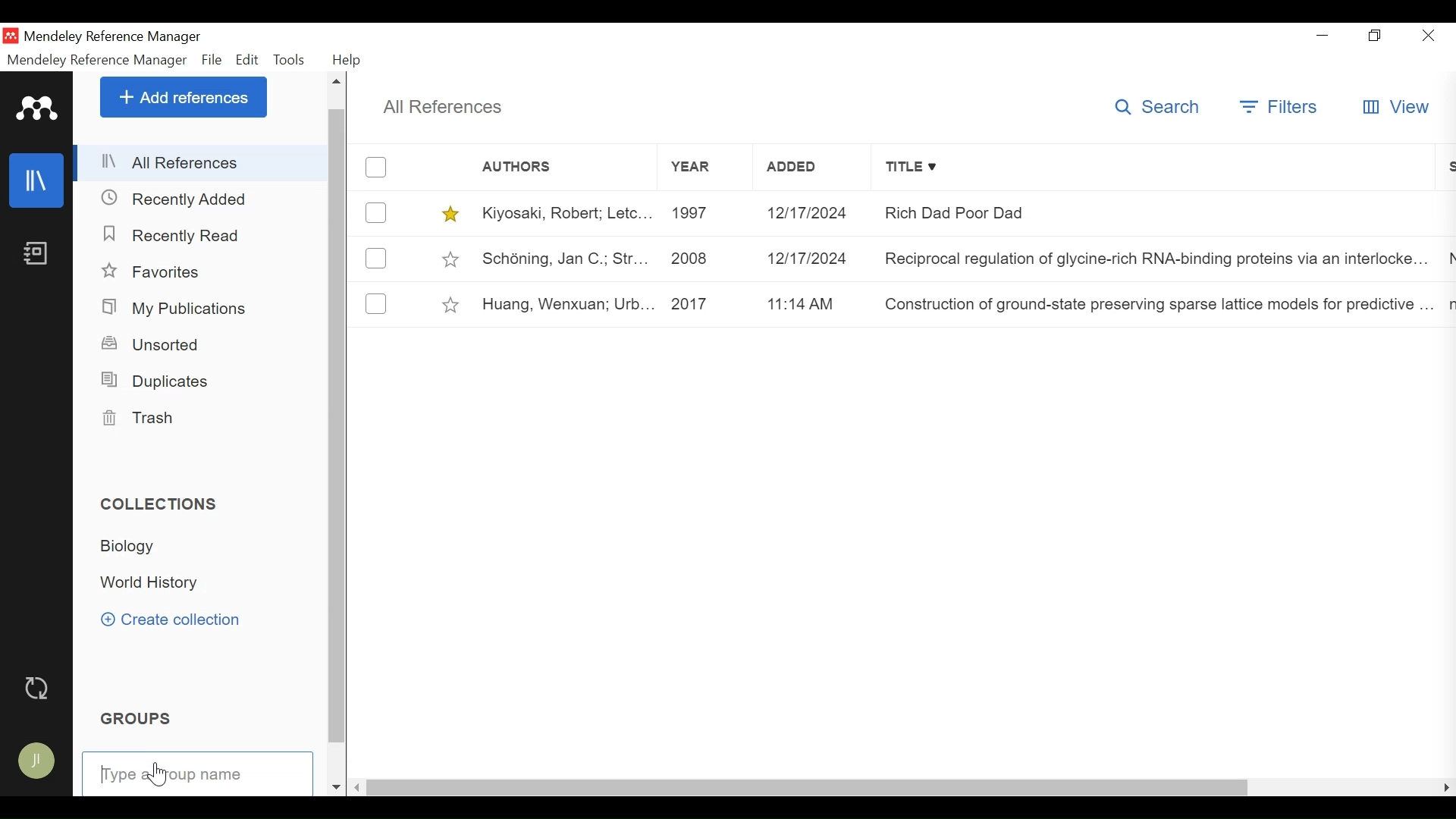 This screenshot has height=819, width=1456. Describe the element at coordinates (338, 786) in the screenshot. I see `Scroll down` at that location.